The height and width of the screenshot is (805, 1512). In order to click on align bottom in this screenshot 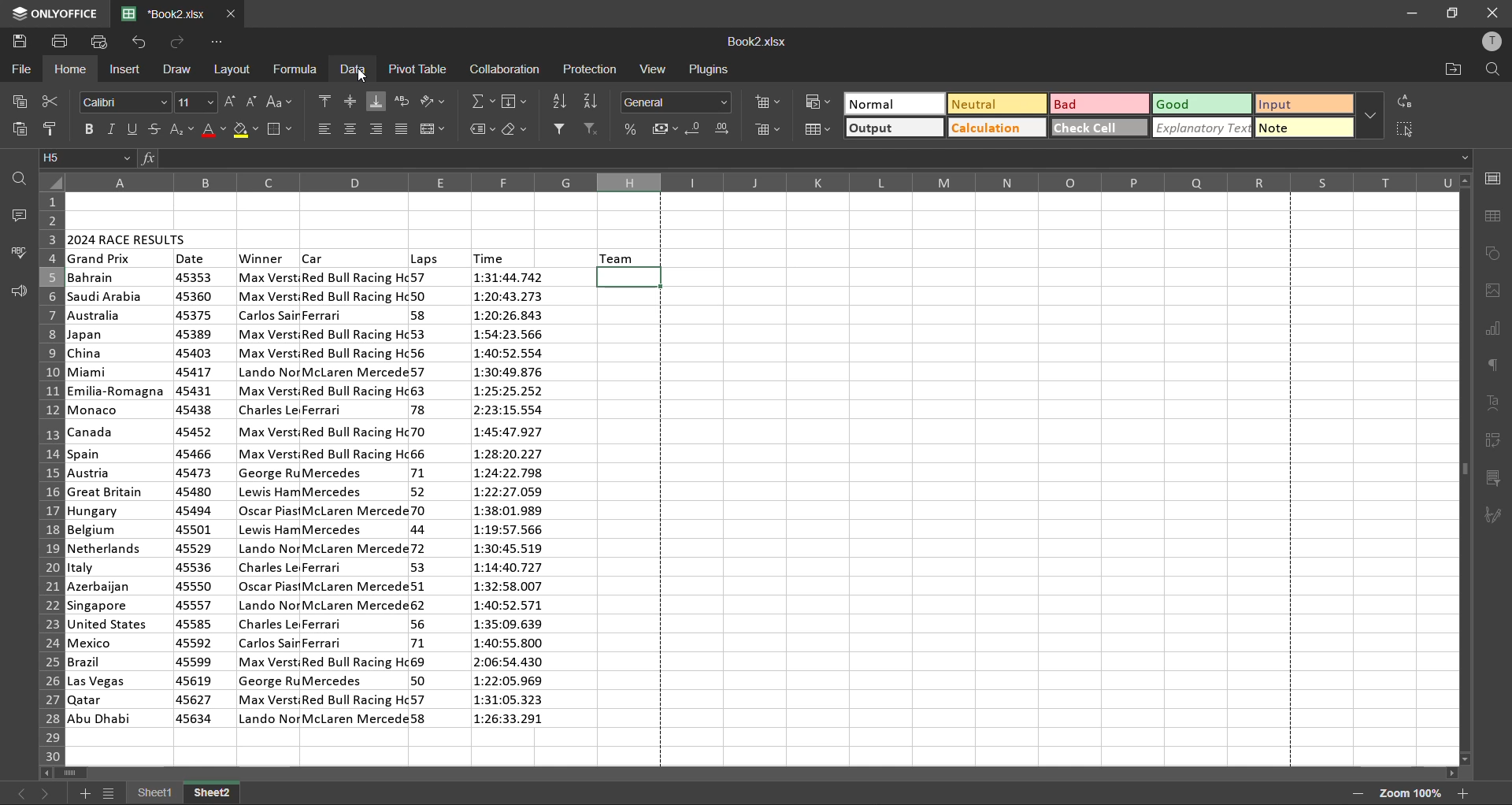, I will do `click(376, 101)`.